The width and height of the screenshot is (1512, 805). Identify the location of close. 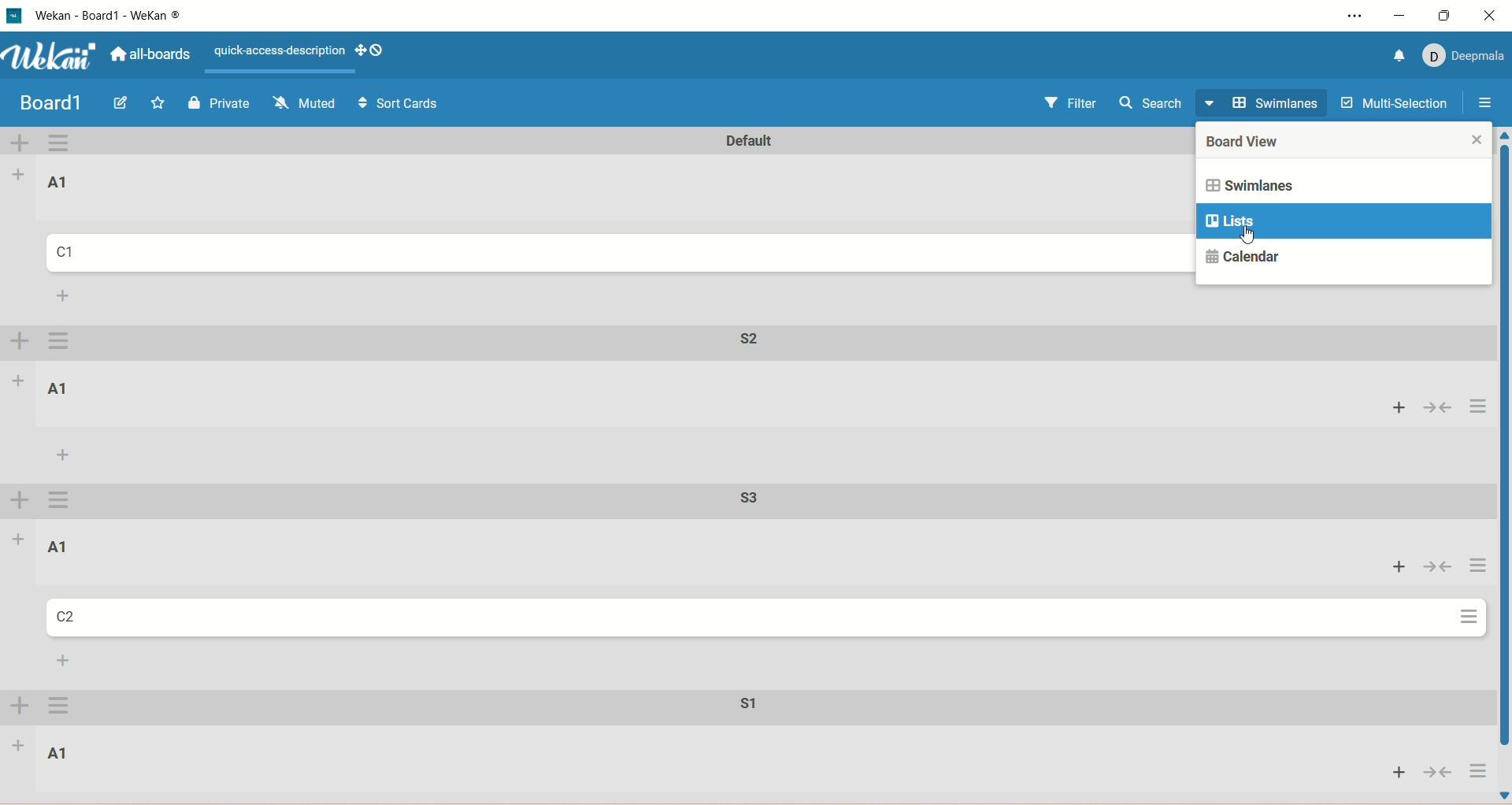
(1492, 15).